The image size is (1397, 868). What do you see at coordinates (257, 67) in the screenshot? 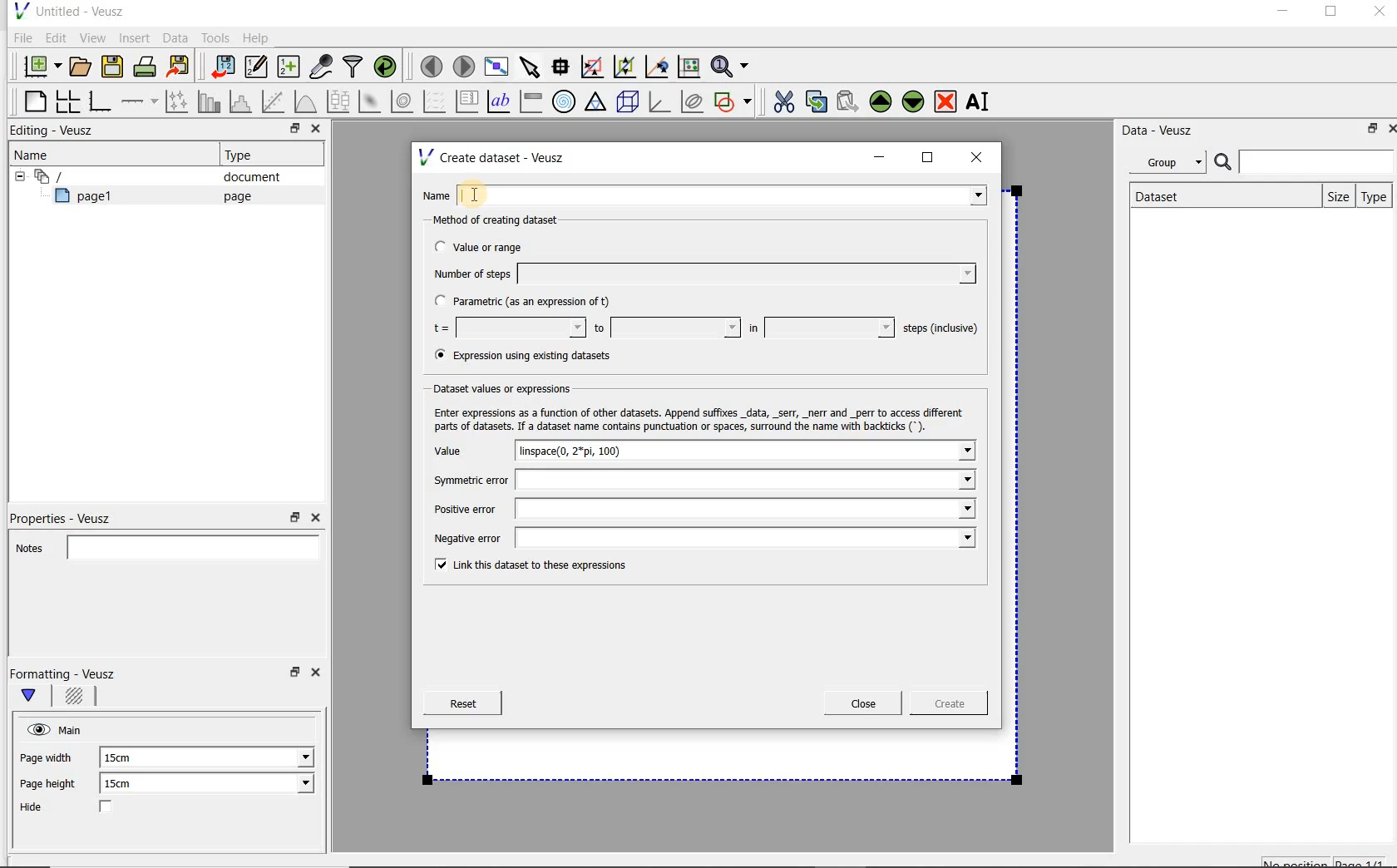
I see `Edit and enter new datasets` at bounding box center [257, 67].